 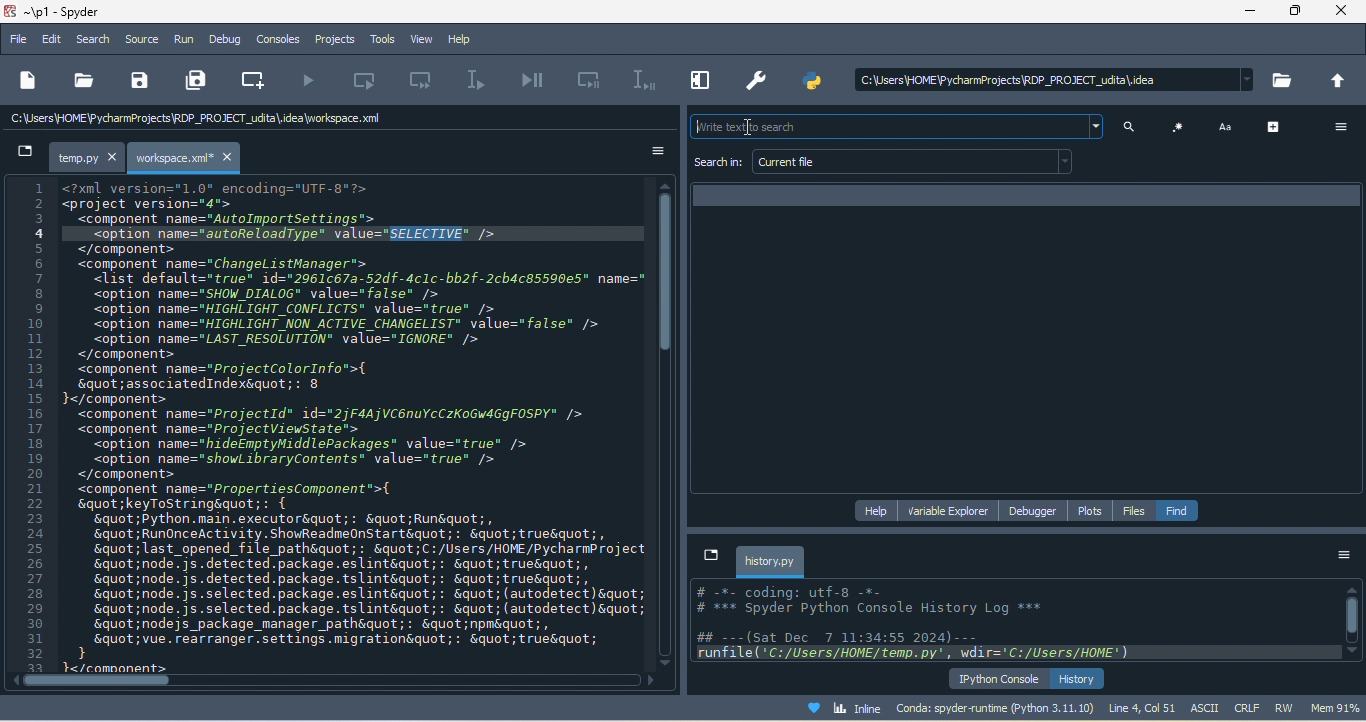 I want to click on option, so click(x=1337, y=127).